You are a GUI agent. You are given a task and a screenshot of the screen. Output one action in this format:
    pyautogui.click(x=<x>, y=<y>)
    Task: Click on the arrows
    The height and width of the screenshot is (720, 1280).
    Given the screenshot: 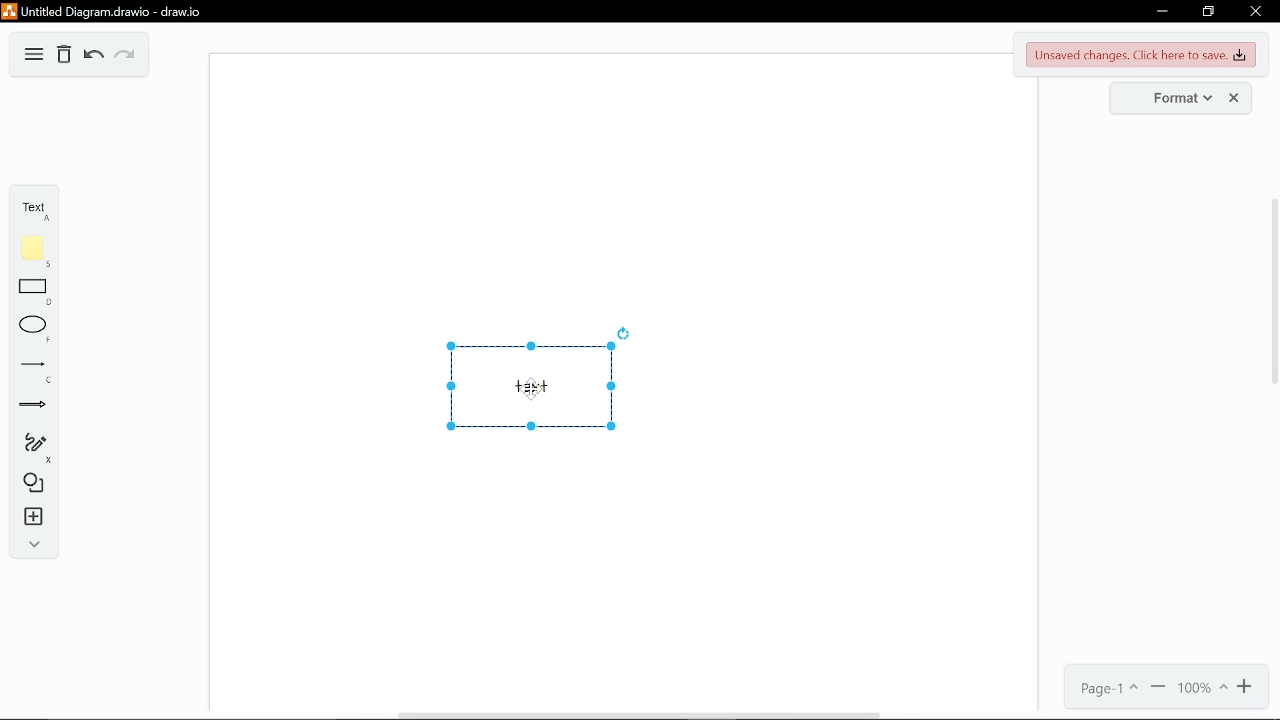 What is the action you would take?
    pyautogui.click(x=30, y=407)
    